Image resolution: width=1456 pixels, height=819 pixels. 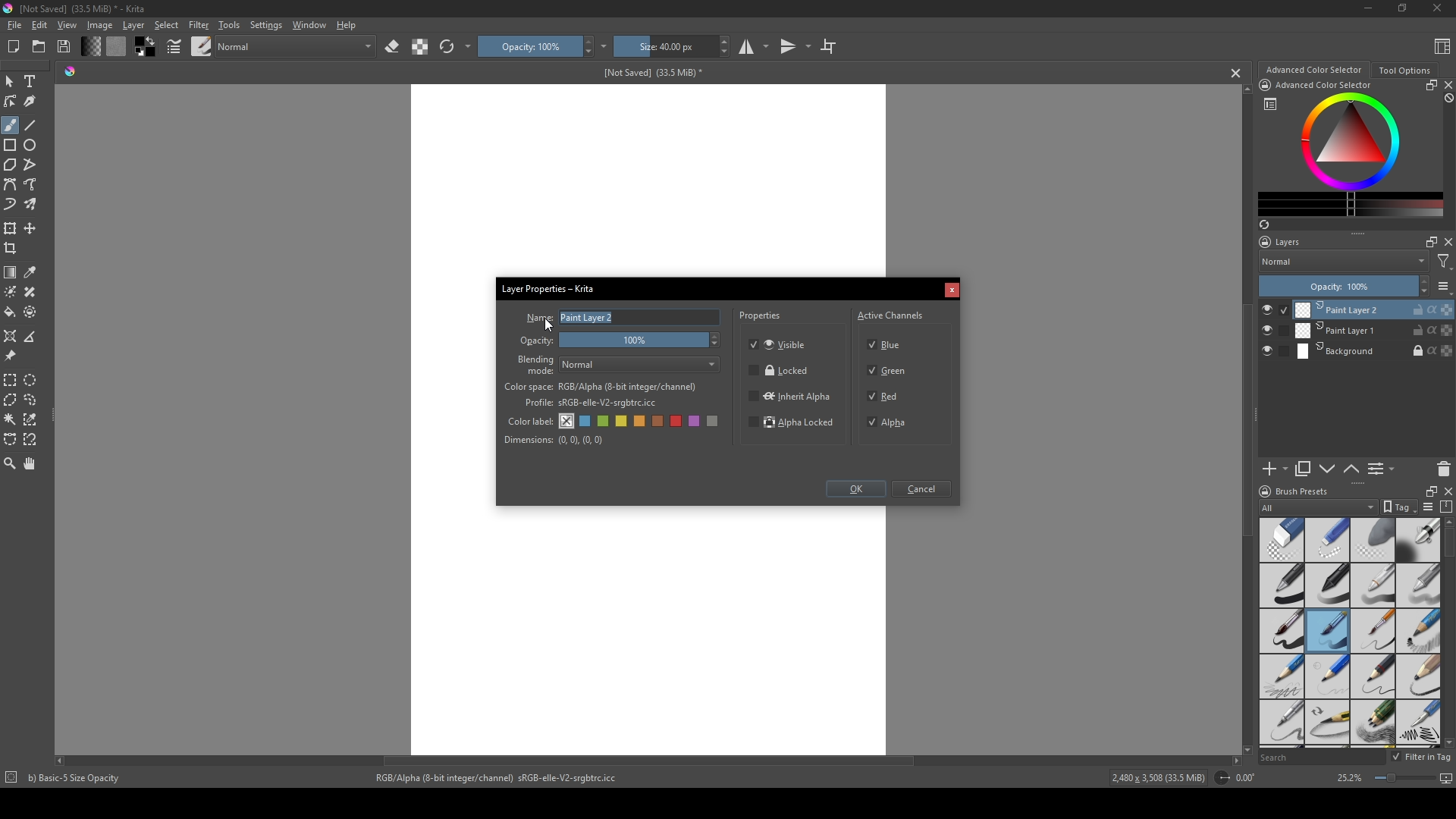 What do you see at coordinates (11, 379) in the screenshot?
I see `rectangular` at bounding box center [11, 379].